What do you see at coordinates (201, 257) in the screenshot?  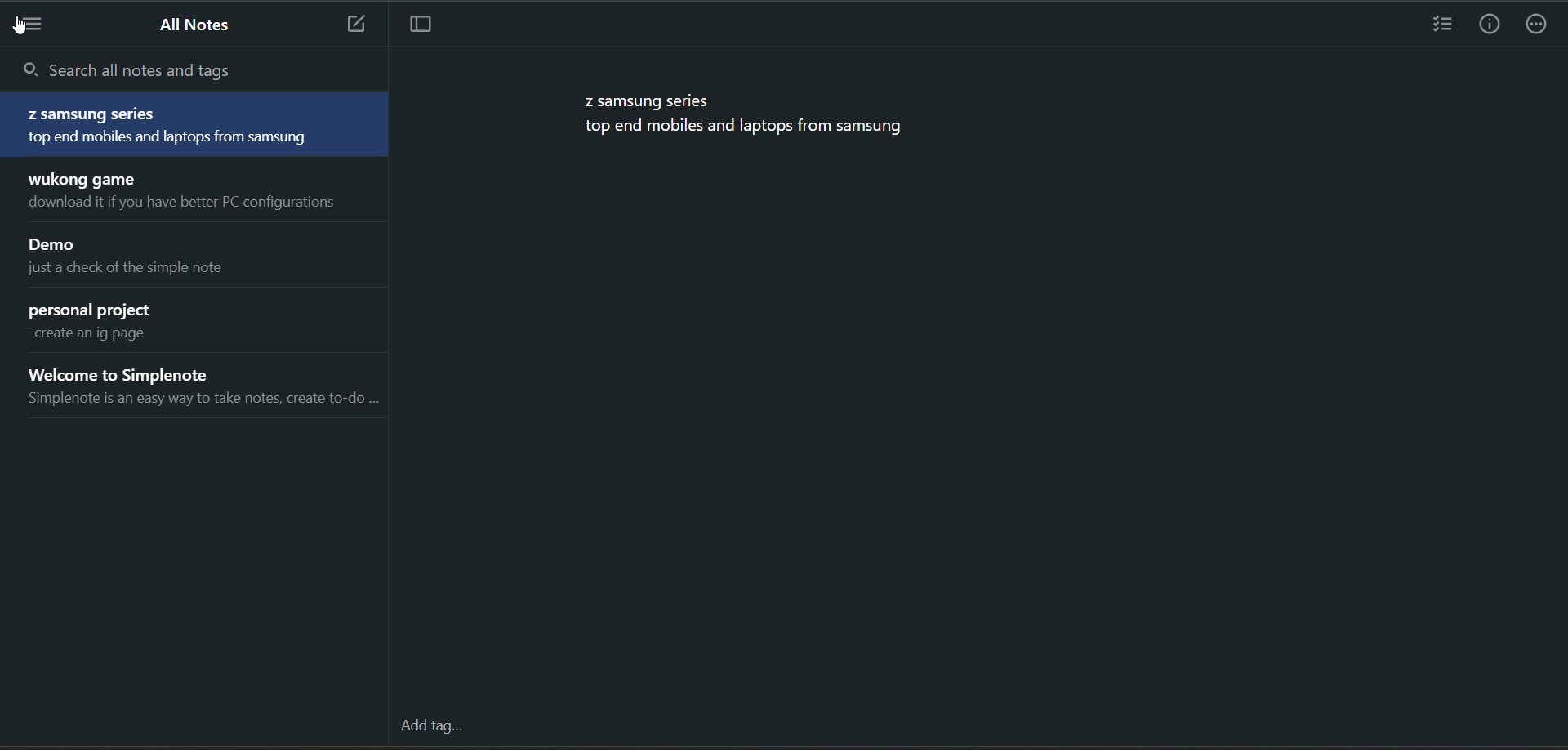 I see `Demo
just a check of the simple note` at bounding box center [201, 257].